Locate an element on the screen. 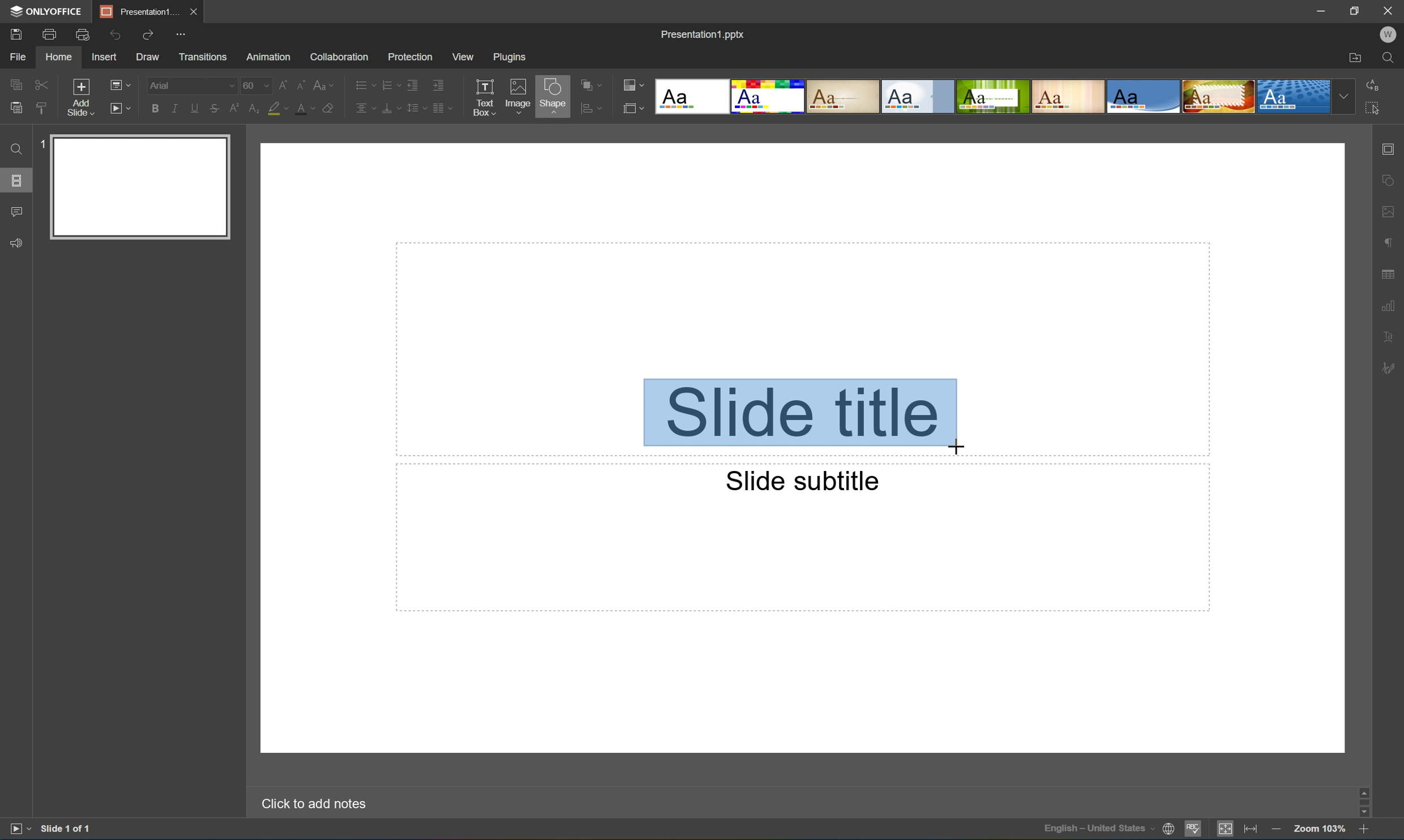 This screenshot has height=840, width=1404. Increase indent is located at coordinates (440, 83).